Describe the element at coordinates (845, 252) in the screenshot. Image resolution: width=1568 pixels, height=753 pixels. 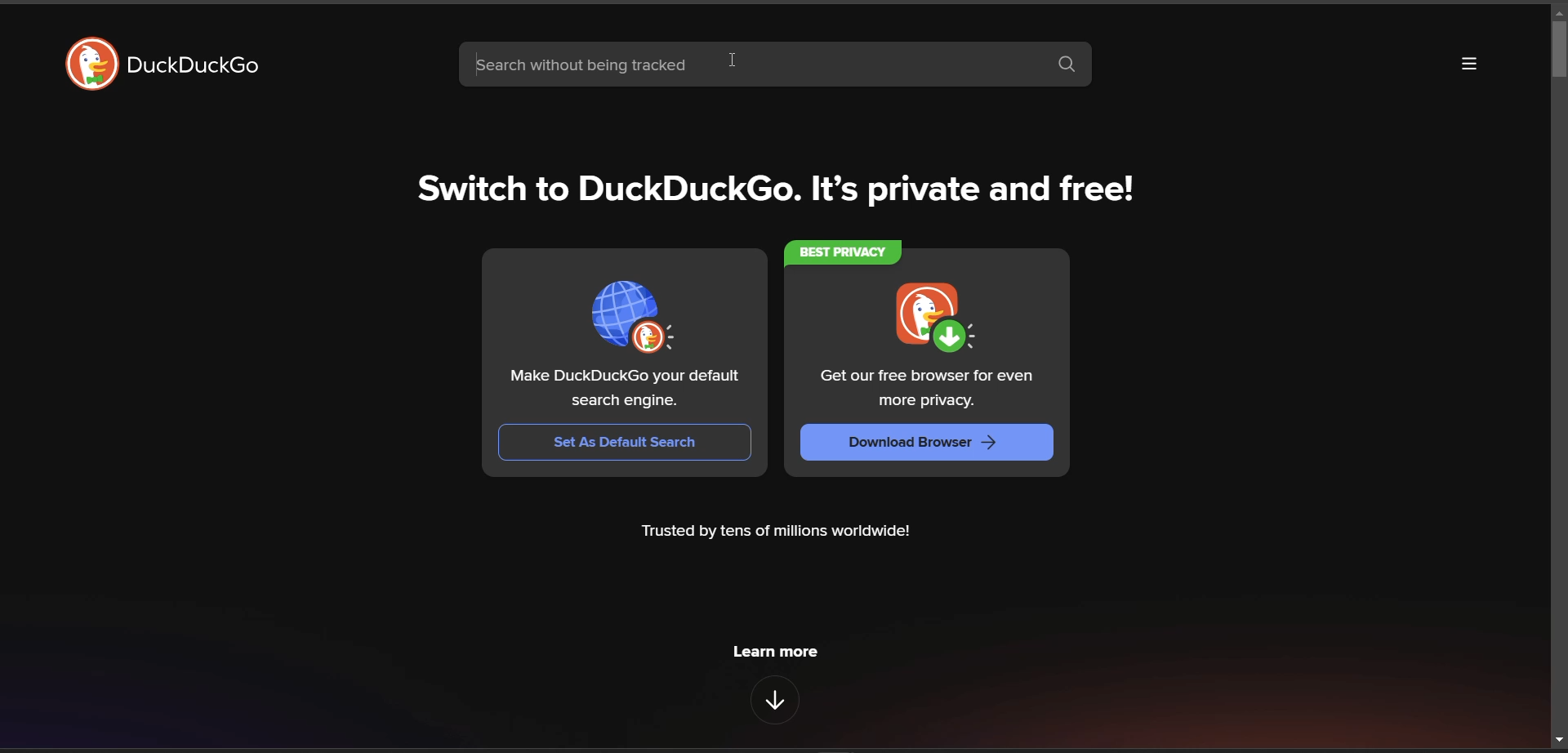
I see `BEST PRIVACY` at that location.